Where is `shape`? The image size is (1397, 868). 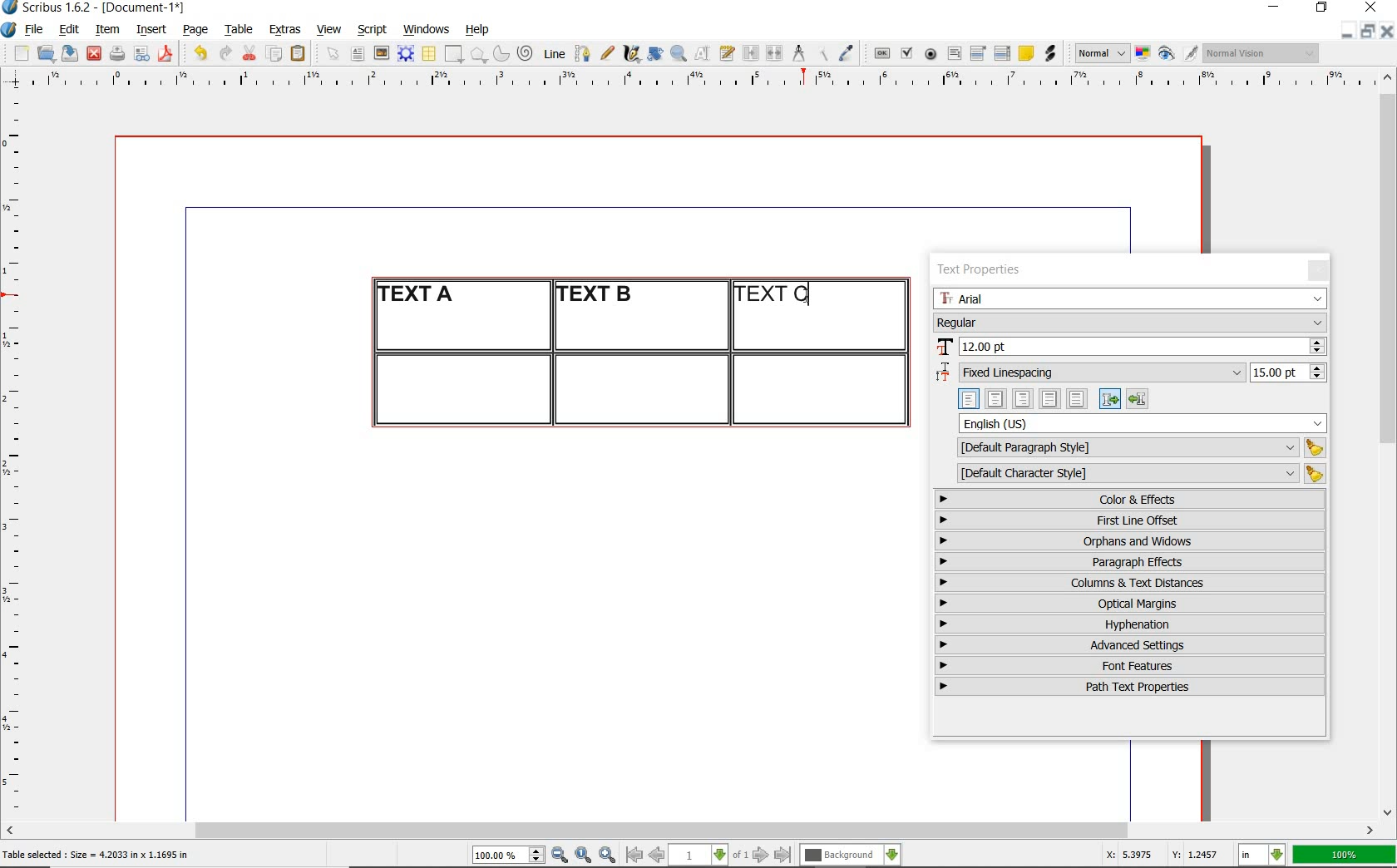 shape is located at coordinates (456, 55).